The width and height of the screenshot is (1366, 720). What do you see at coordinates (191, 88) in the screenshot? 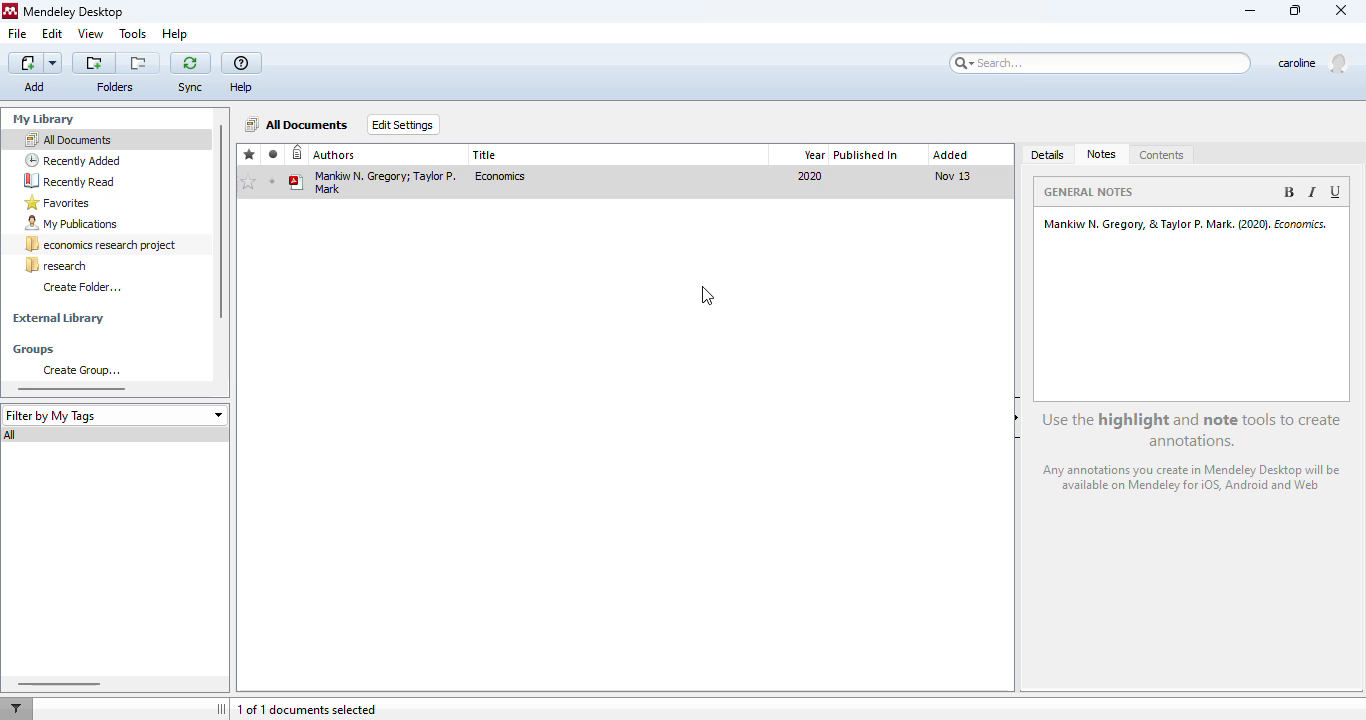
I see `Sync` at bounding box center [191, 88].